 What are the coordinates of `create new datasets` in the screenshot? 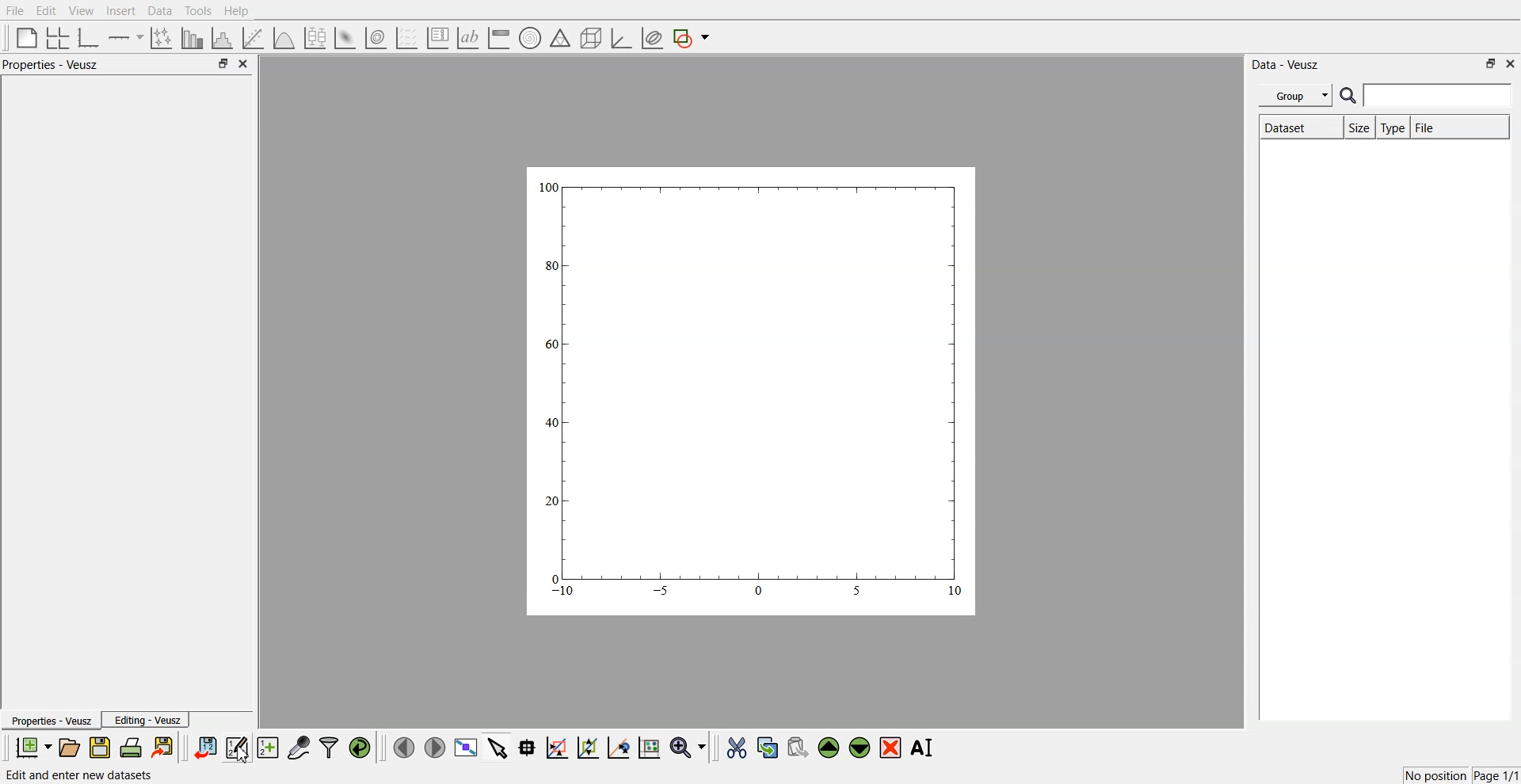 It's located at (268, 748).